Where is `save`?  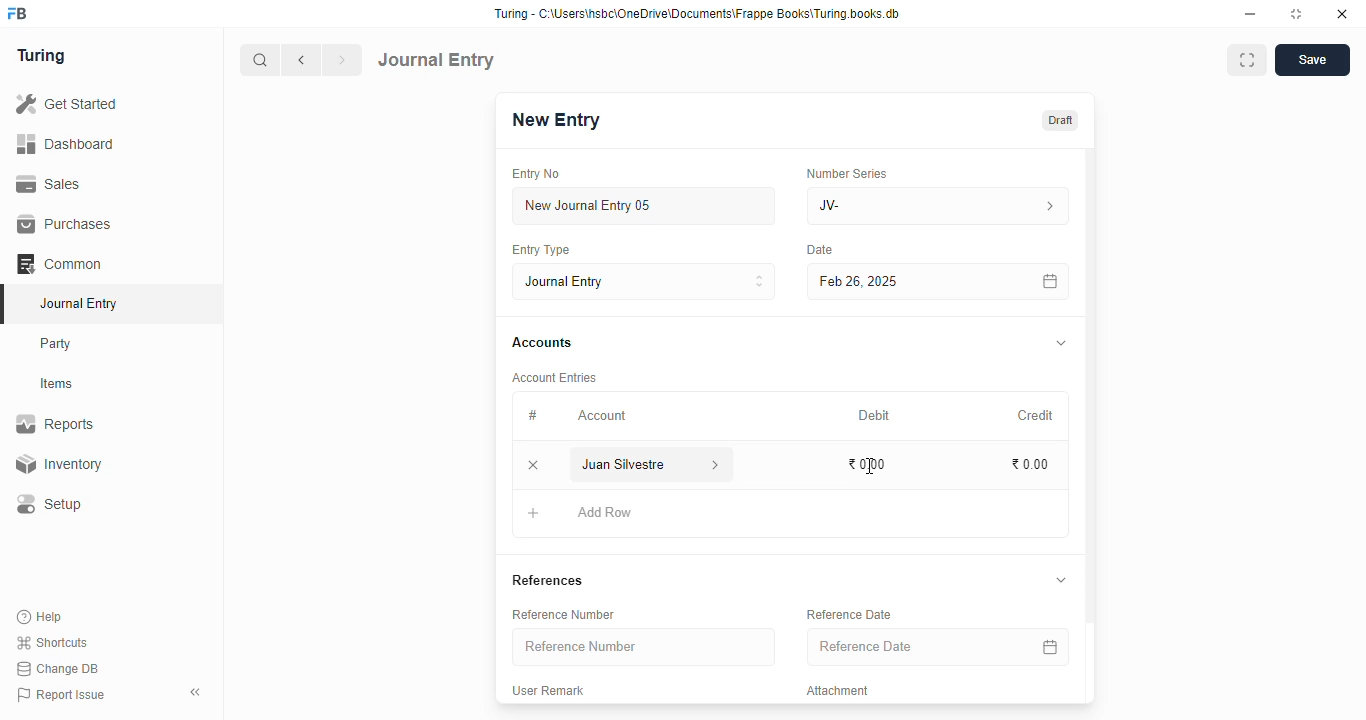
save is located at coordinates (1312, 60).